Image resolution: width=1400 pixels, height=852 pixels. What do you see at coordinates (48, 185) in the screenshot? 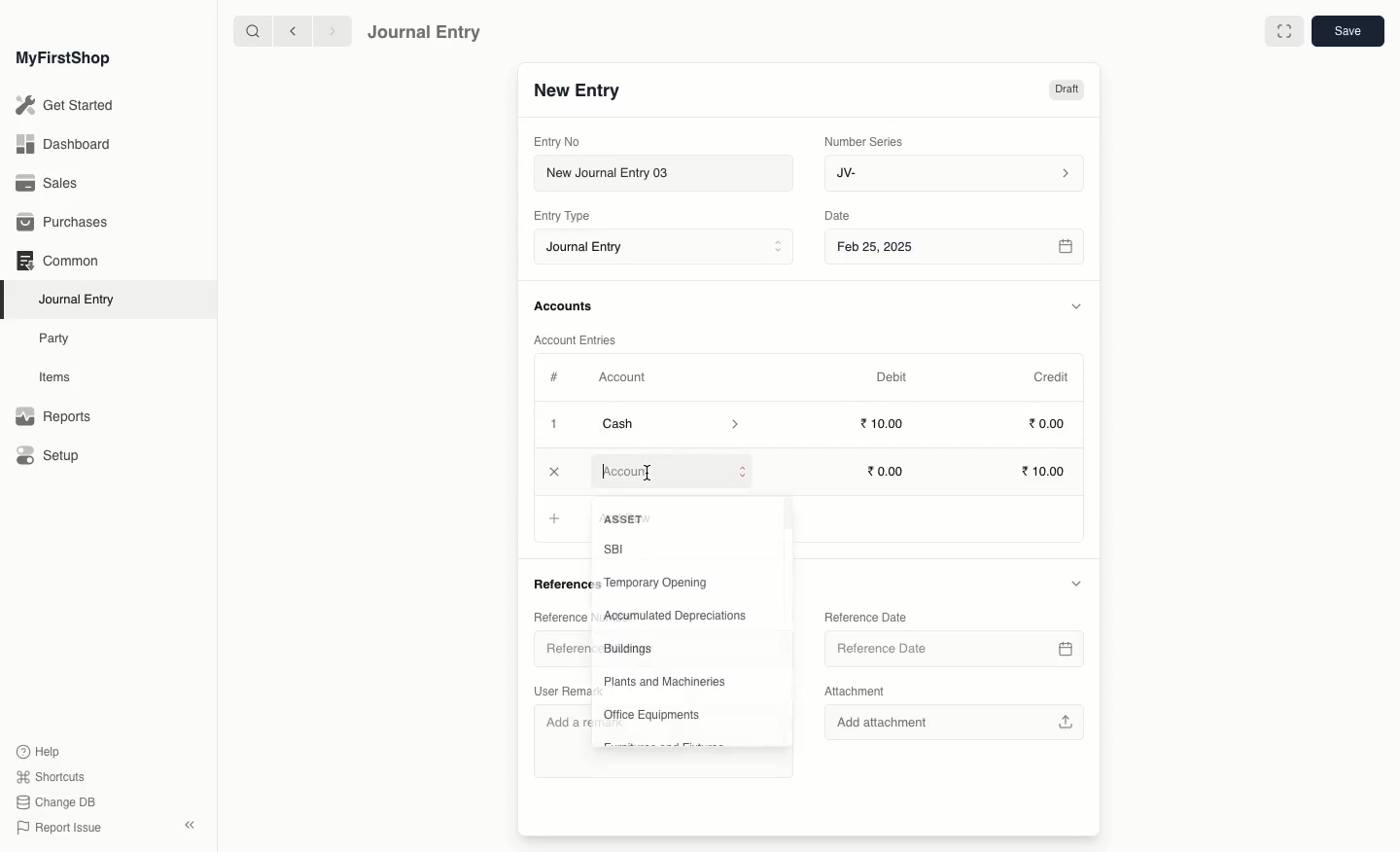
I see `Sales` at bounding box center [48, 185].